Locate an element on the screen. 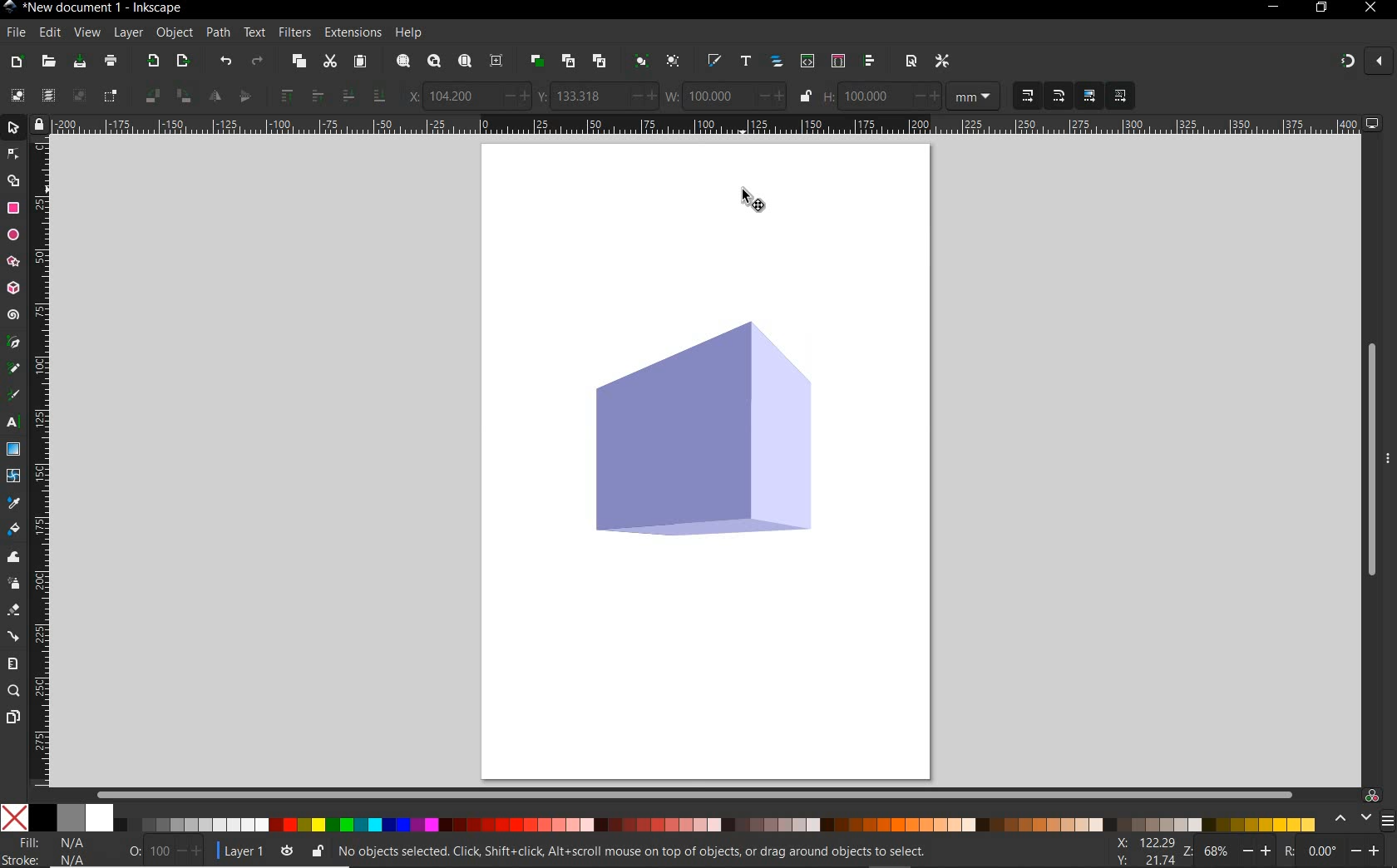  view is located at coordinates (86, 33).